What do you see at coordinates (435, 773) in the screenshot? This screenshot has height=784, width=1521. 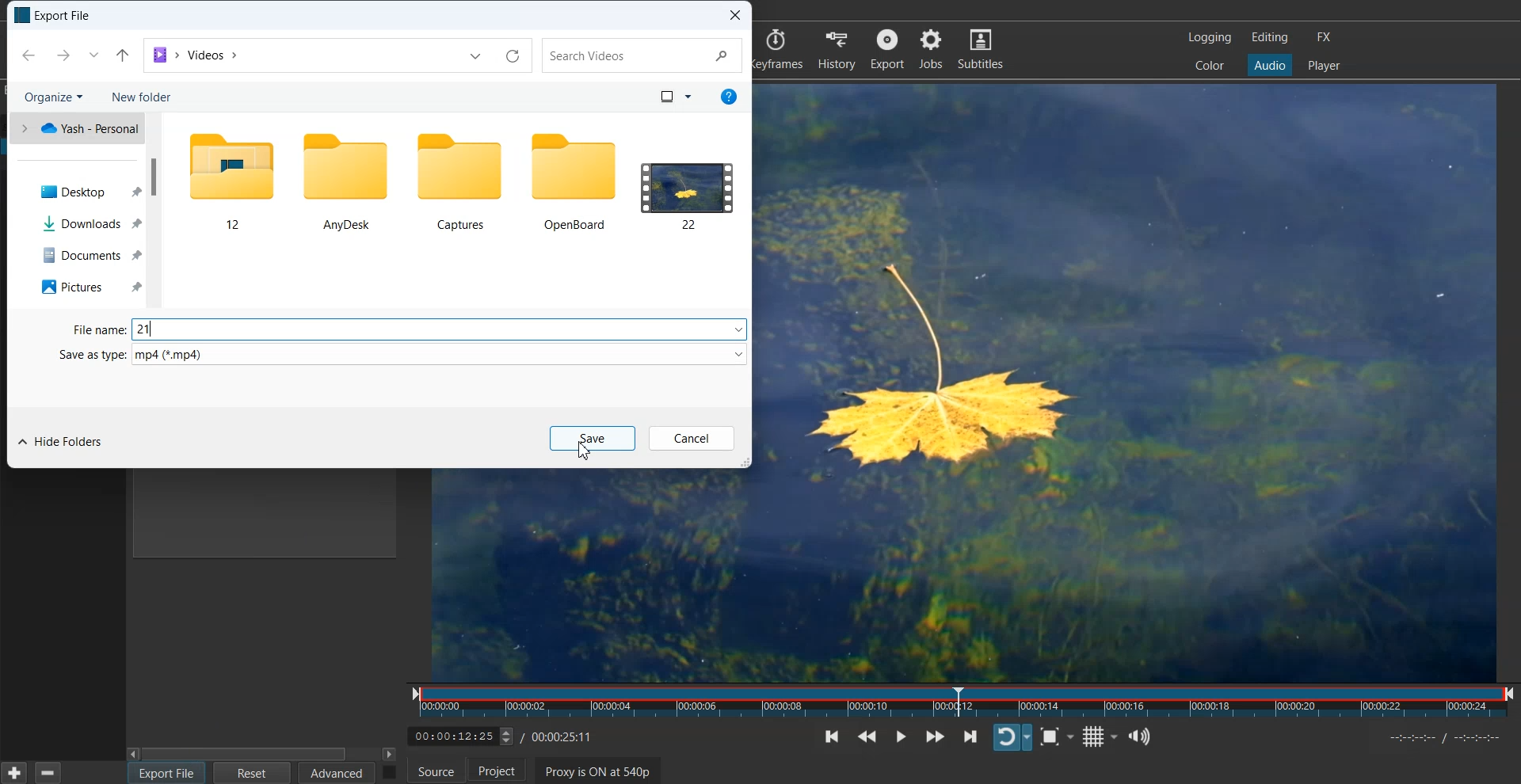 I see `Source` at bounding box center [435, 773].